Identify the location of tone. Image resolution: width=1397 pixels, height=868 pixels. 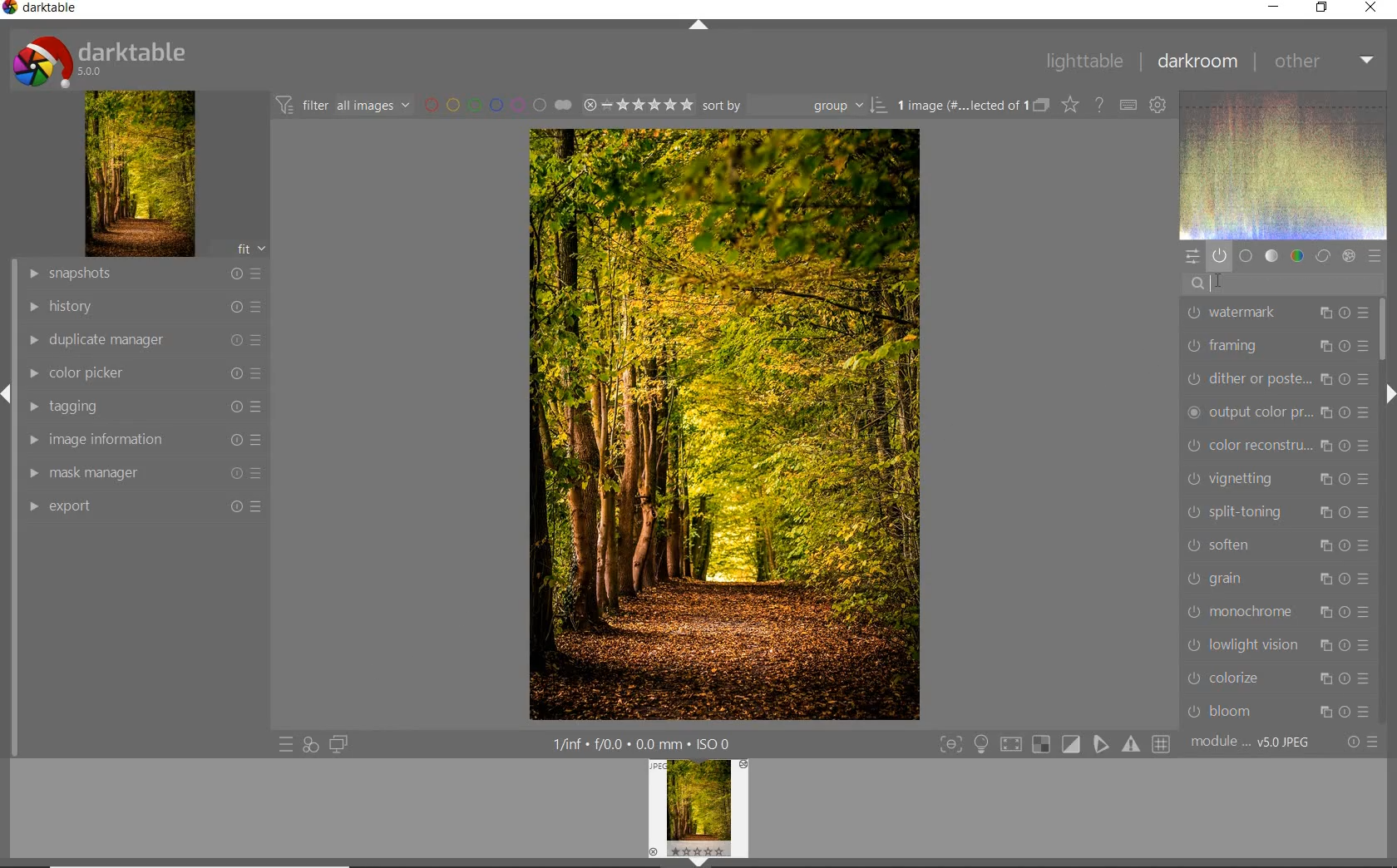
(1271, 257).